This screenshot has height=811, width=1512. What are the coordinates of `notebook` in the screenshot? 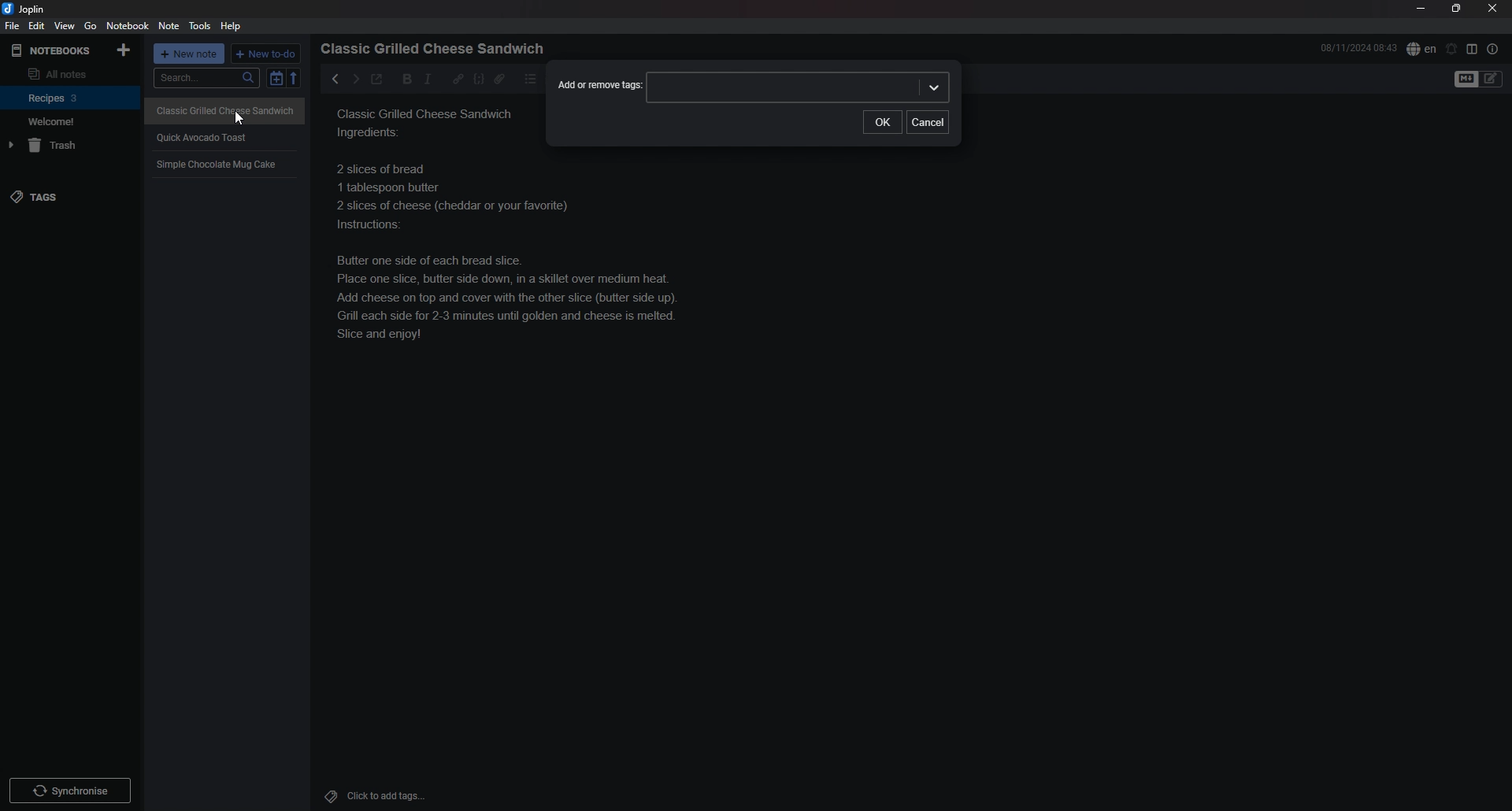 It's located at (129, 25).